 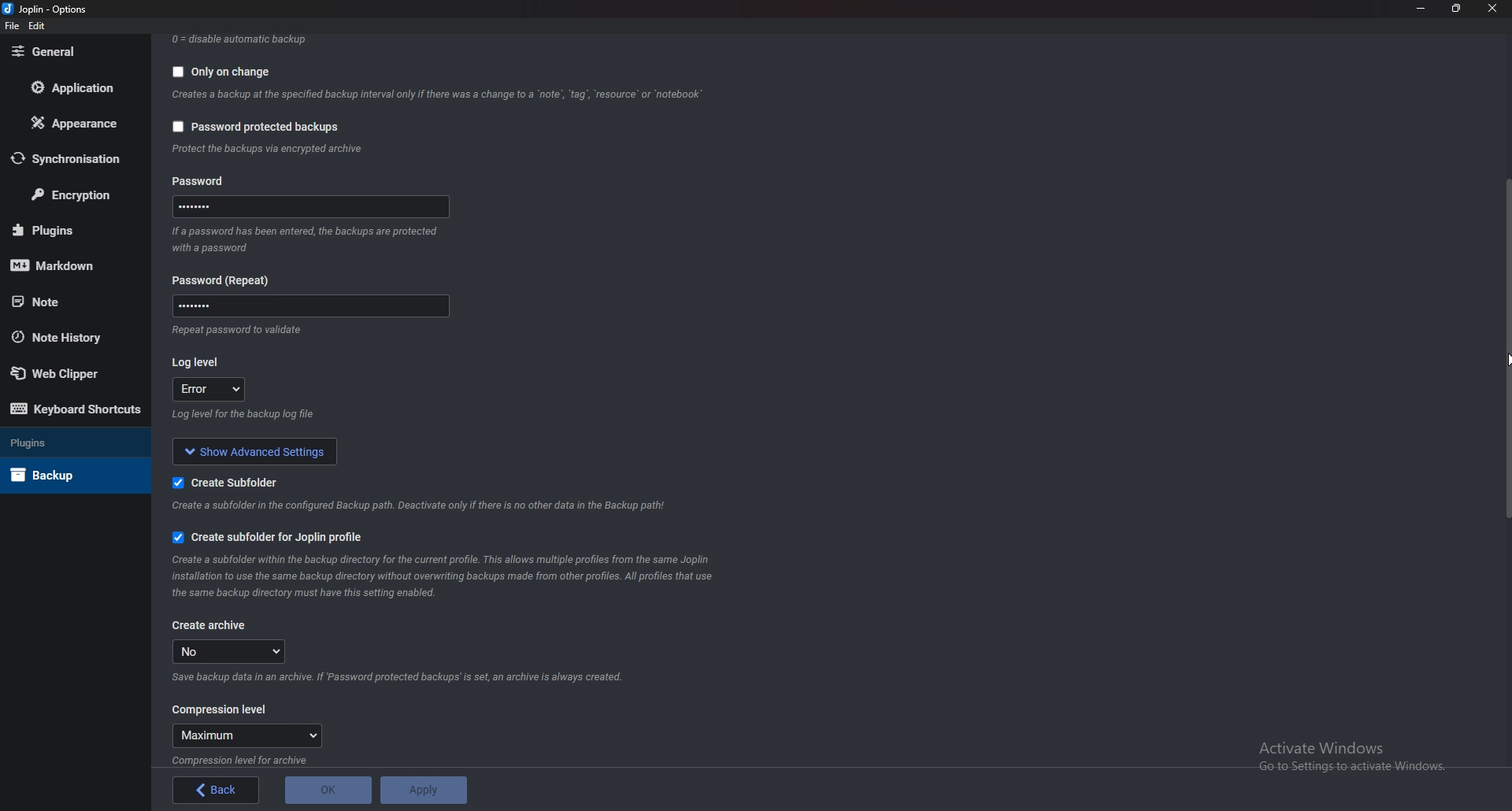 I want to click on info, so click(x=250, y=759).